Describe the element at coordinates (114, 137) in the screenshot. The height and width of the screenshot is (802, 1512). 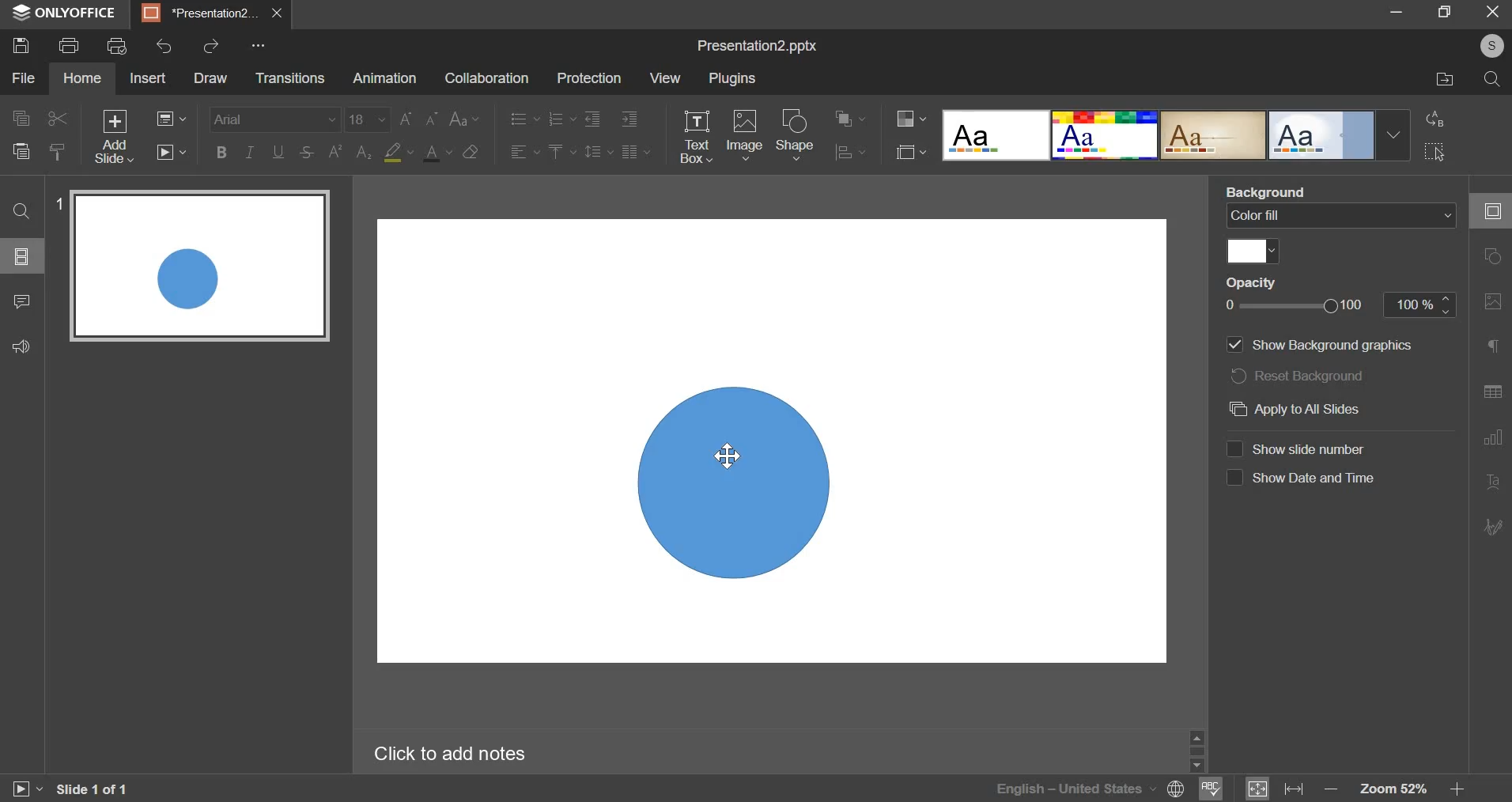
I see `add slide` at that location.